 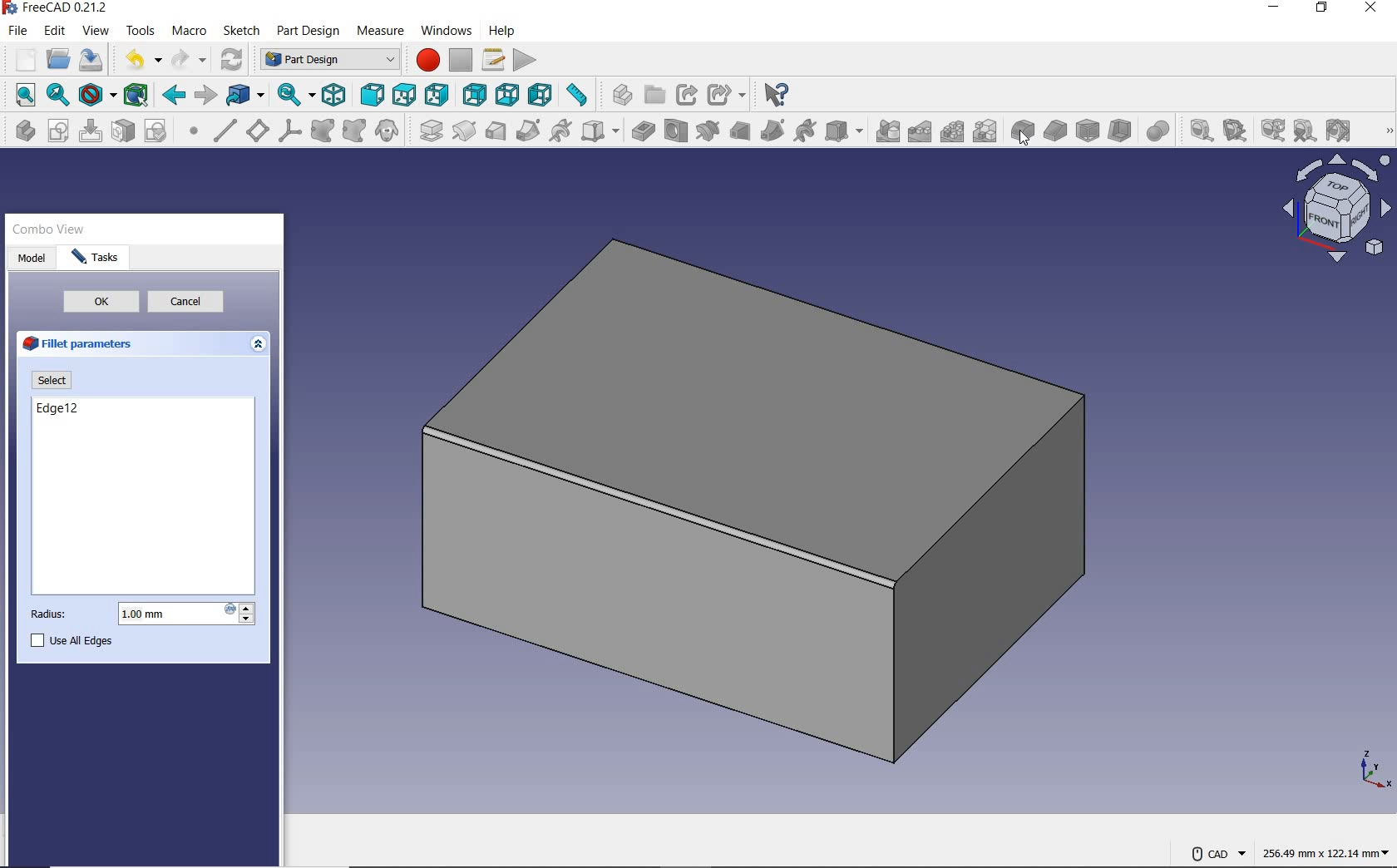 What do you see at coordinates (1197, 130) in the screenshot?
I see `measure linear` at bounding box center [1197, 130].